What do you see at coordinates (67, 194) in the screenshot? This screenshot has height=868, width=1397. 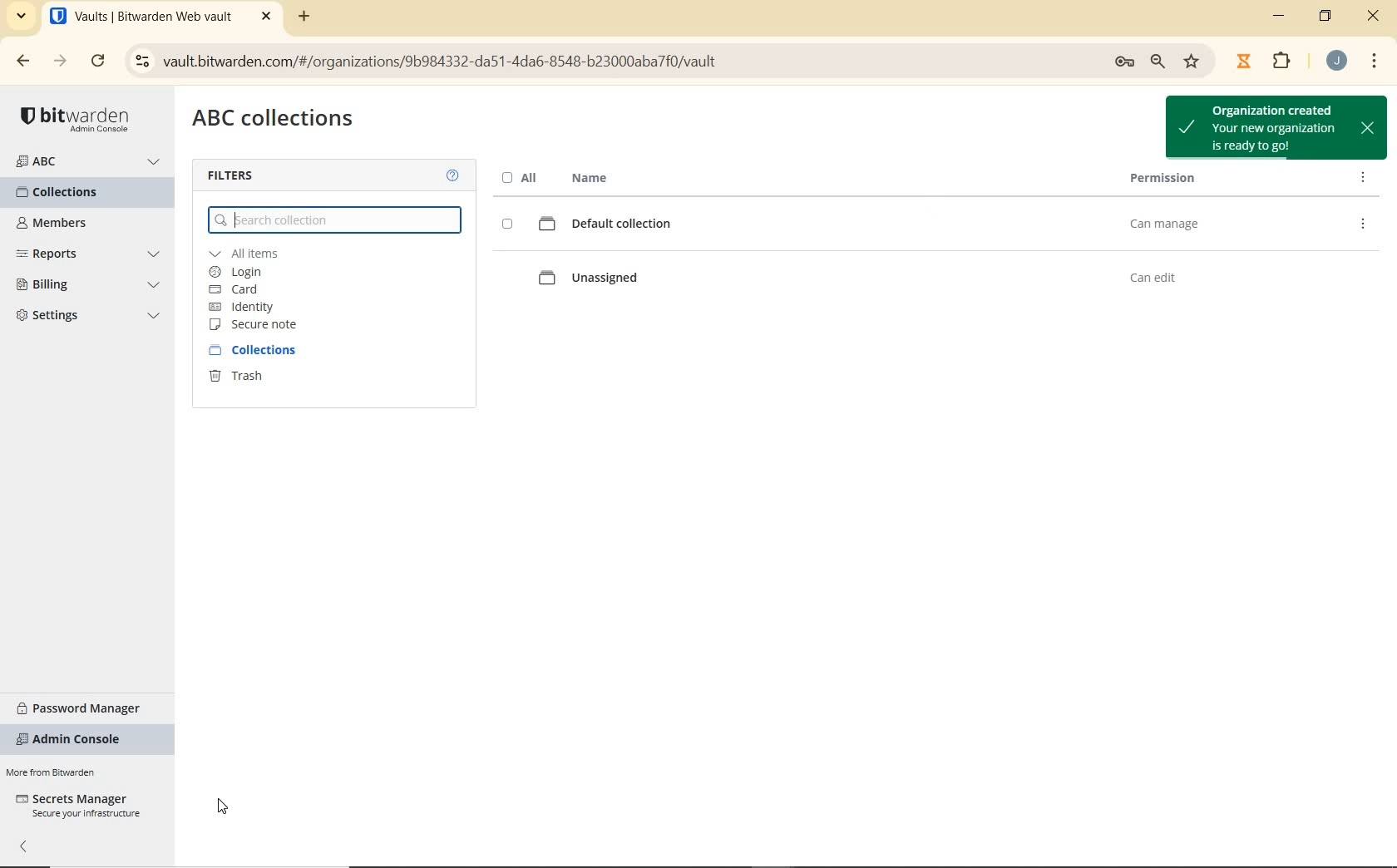 I see `send` at bounding box center [67, 194].